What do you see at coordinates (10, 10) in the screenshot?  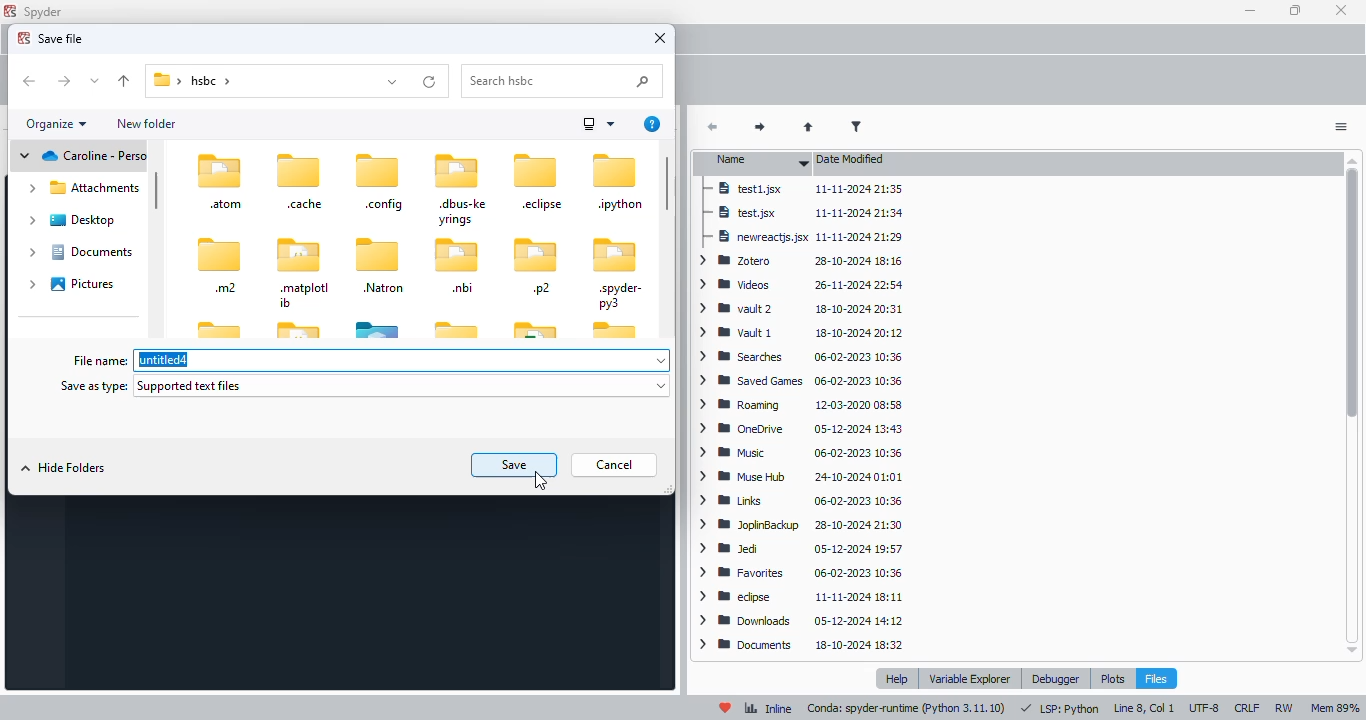 I see `logo` at bounding box center [10, 10].